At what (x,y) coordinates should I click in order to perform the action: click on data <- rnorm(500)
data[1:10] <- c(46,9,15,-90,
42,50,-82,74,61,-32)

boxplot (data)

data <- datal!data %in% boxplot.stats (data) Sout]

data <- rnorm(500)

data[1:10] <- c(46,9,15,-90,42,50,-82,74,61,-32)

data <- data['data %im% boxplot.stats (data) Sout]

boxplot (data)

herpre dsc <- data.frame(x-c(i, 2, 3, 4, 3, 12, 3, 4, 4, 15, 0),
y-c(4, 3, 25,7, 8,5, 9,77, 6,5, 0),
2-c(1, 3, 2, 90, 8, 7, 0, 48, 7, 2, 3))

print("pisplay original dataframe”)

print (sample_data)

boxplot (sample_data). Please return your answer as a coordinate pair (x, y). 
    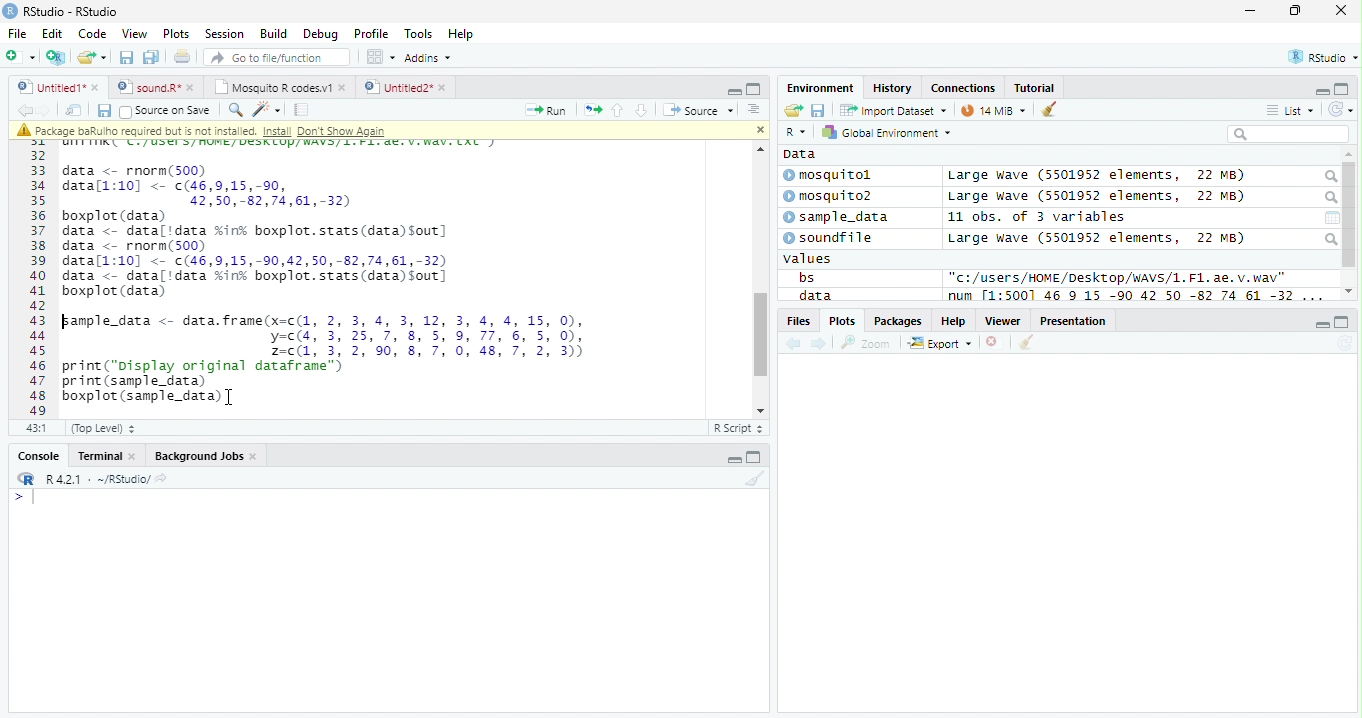
    Looking at the image, I should click on (325, 283).